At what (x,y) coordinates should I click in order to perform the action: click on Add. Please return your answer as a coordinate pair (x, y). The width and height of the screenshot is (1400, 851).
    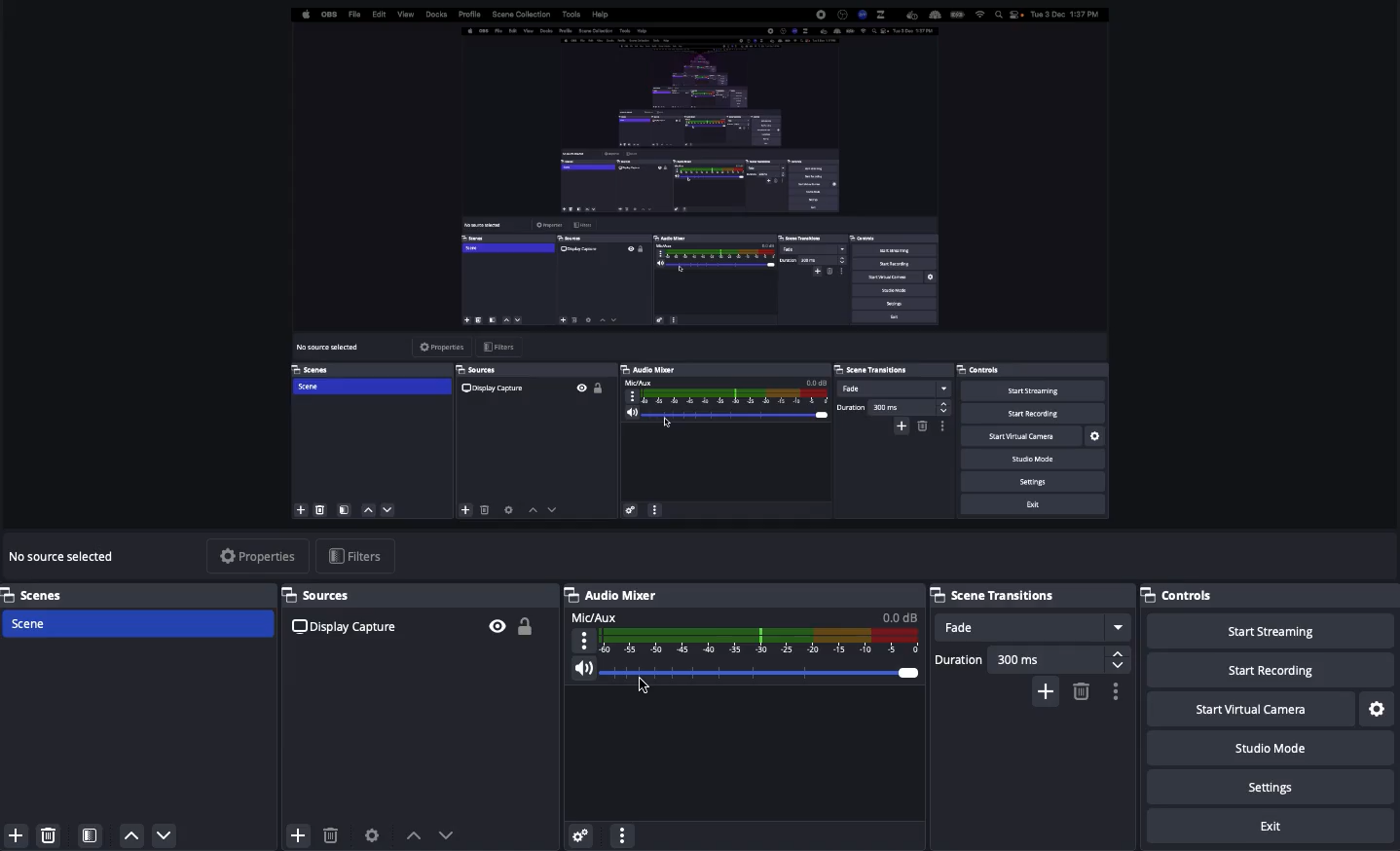
    Looking at the image, I should click on (296, 832).